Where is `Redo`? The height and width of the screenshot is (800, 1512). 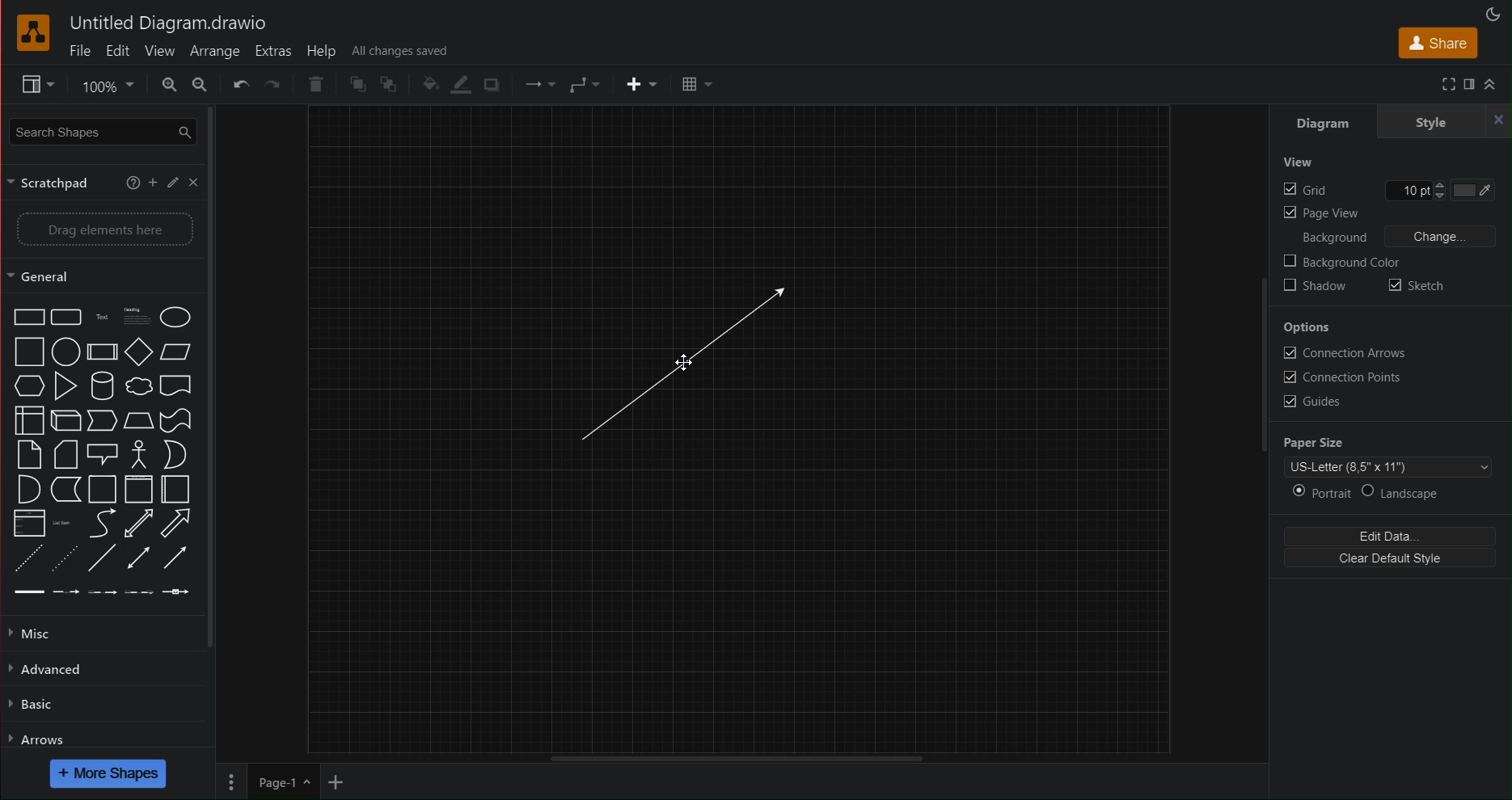 Redo is located at coordinates (273, 86).